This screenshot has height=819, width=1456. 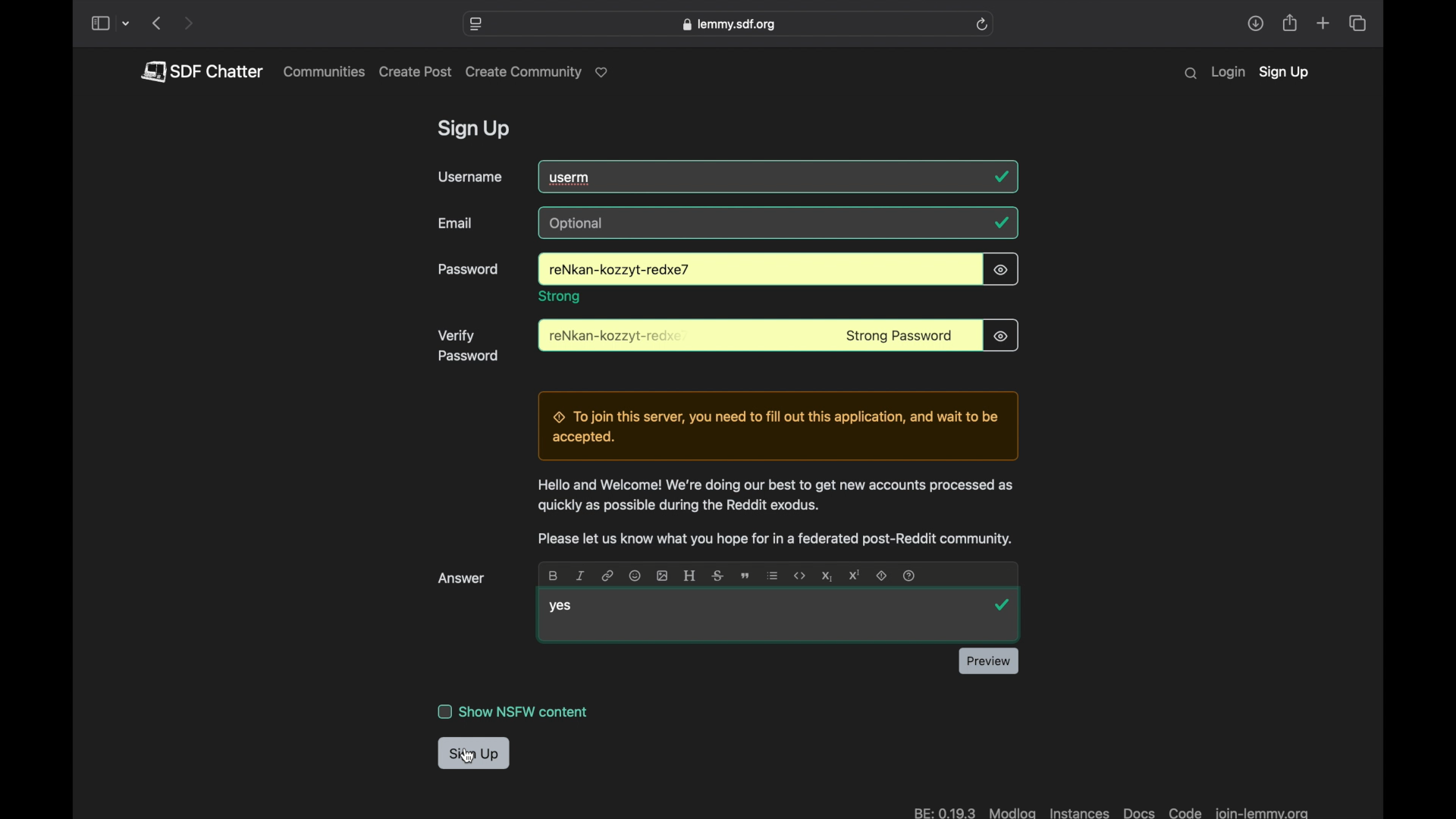 I want to click on trong, so click(x=560, y=297).